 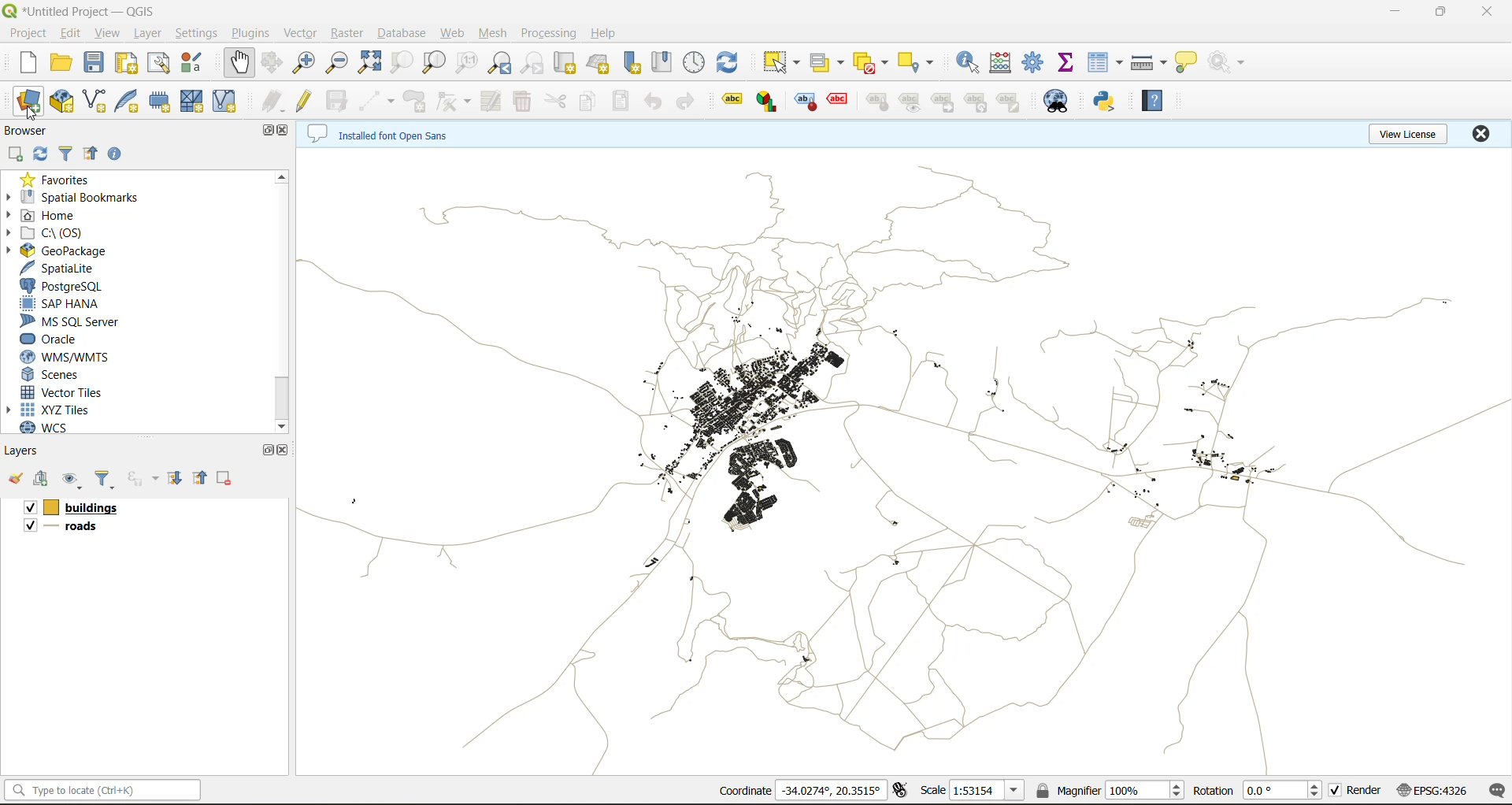 I want to click on view, so click(x=108, y=35).